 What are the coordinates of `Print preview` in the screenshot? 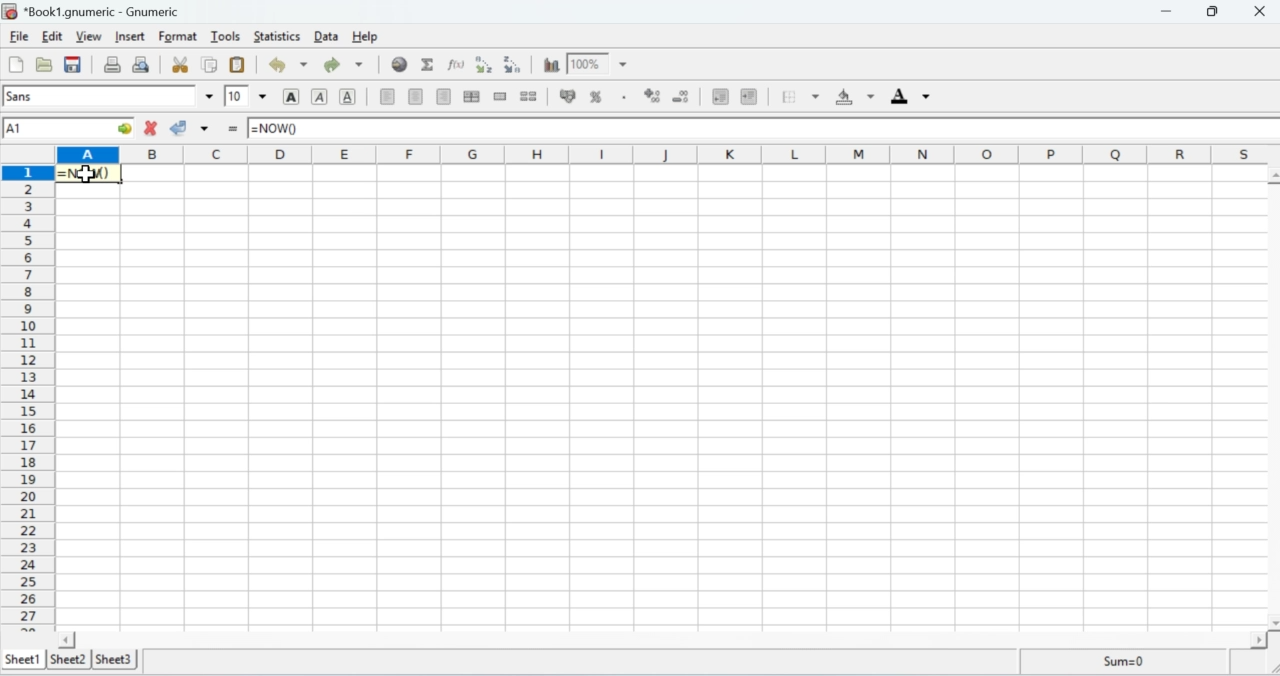 It's located at (142, 65).